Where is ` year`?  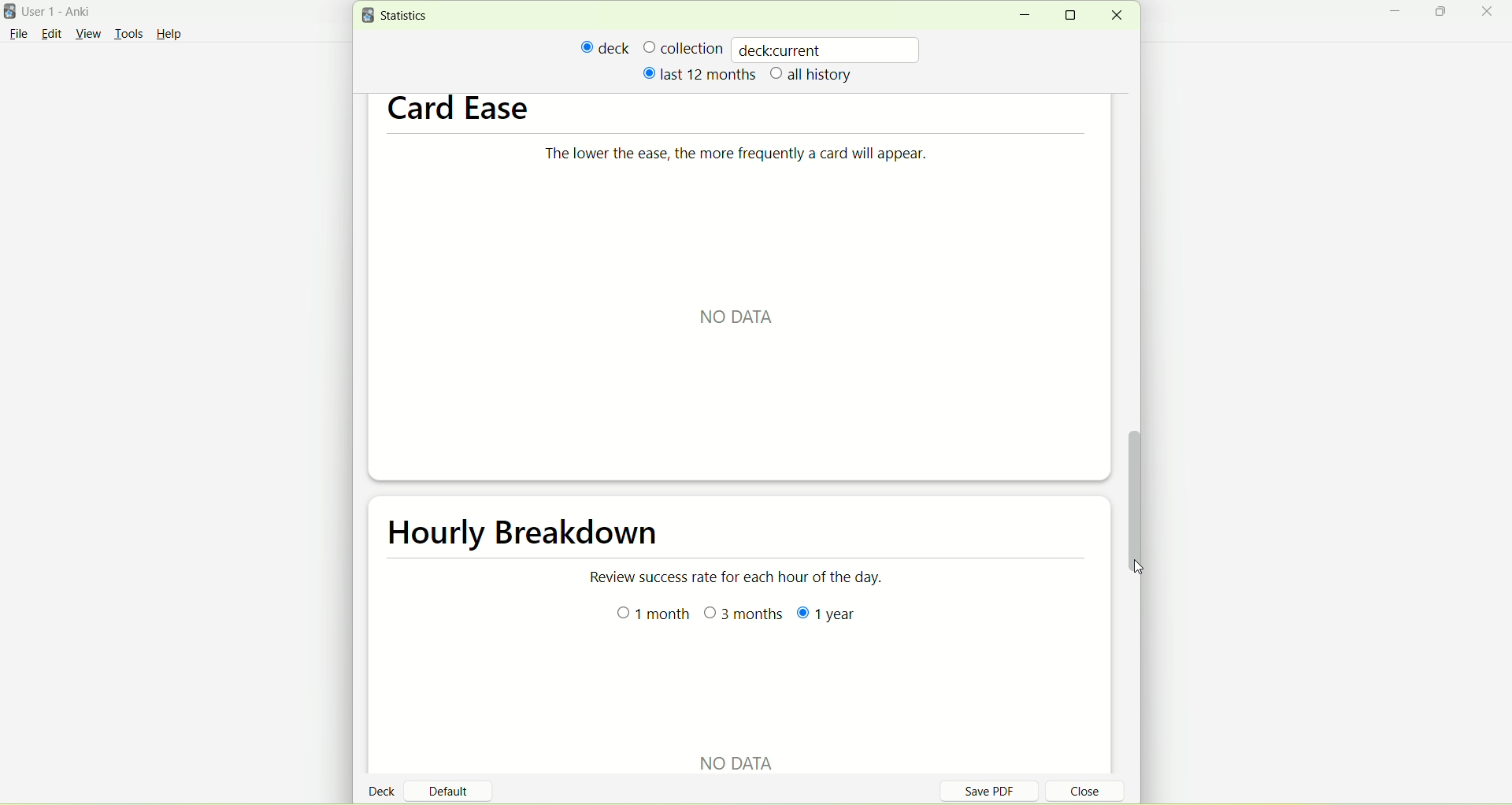  year is located at coordinates (831, 618).